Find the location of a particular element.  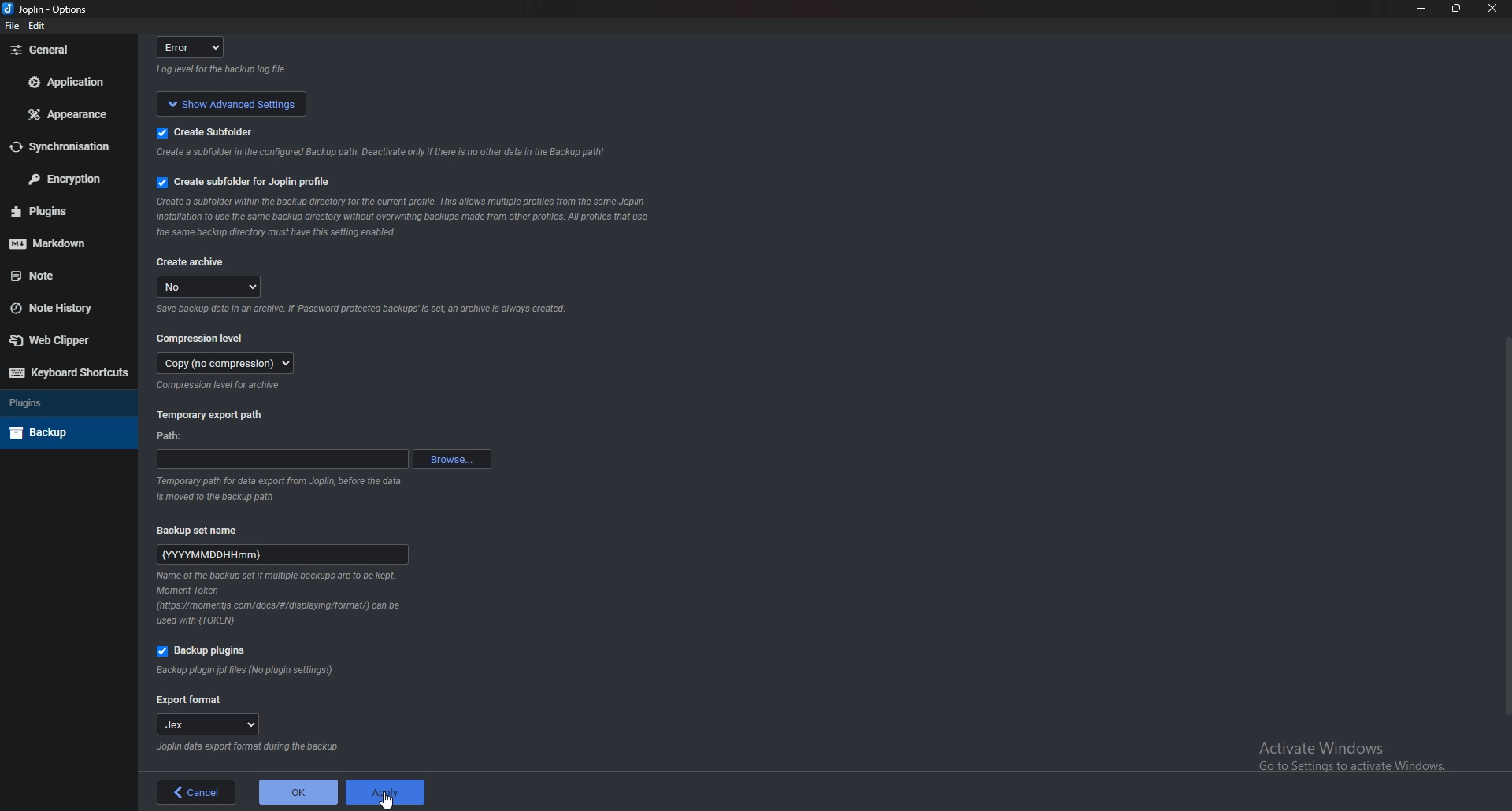

error is located at coordinates (195, 46).